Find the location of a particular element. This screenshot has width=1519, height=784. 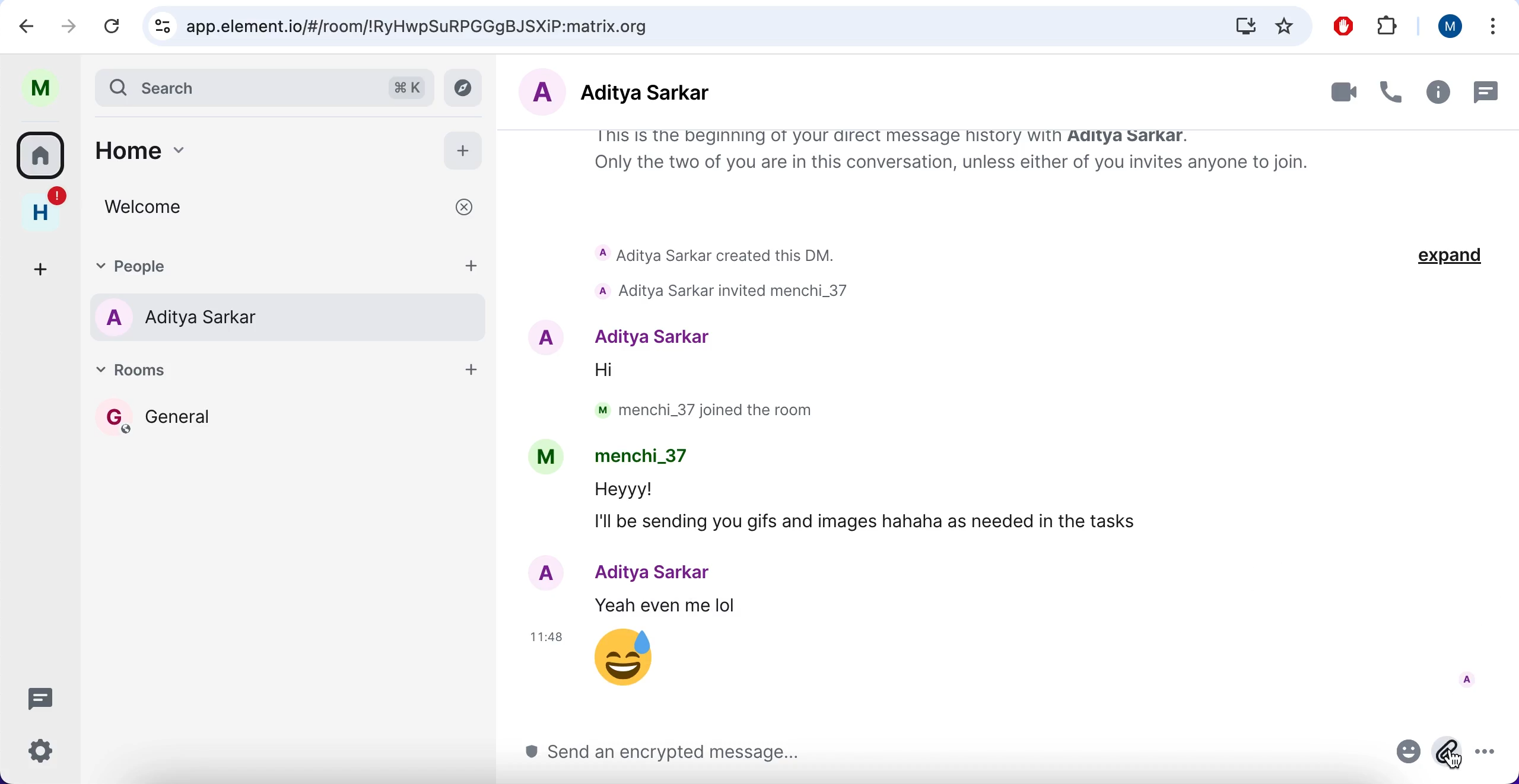

room chat is located at coordinates (1011, 423).